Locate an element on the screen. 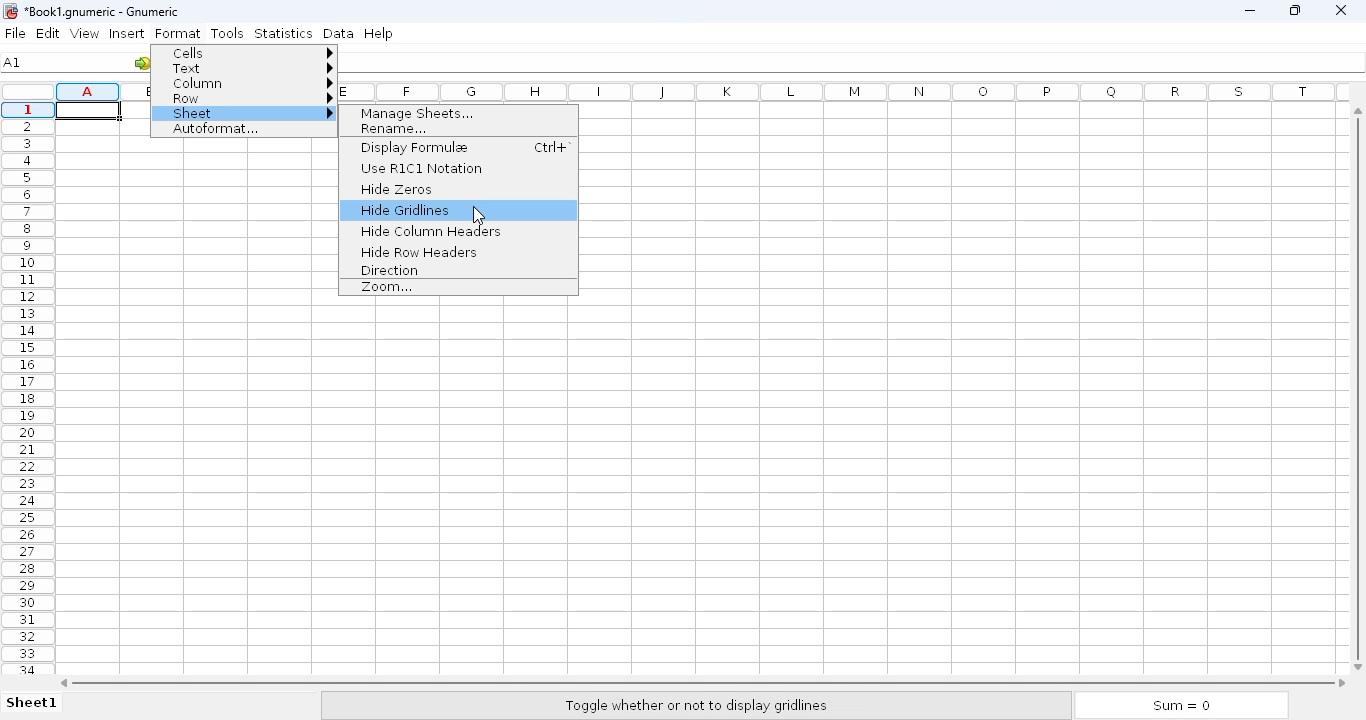  maximize is located at coordinates (1296, 10).